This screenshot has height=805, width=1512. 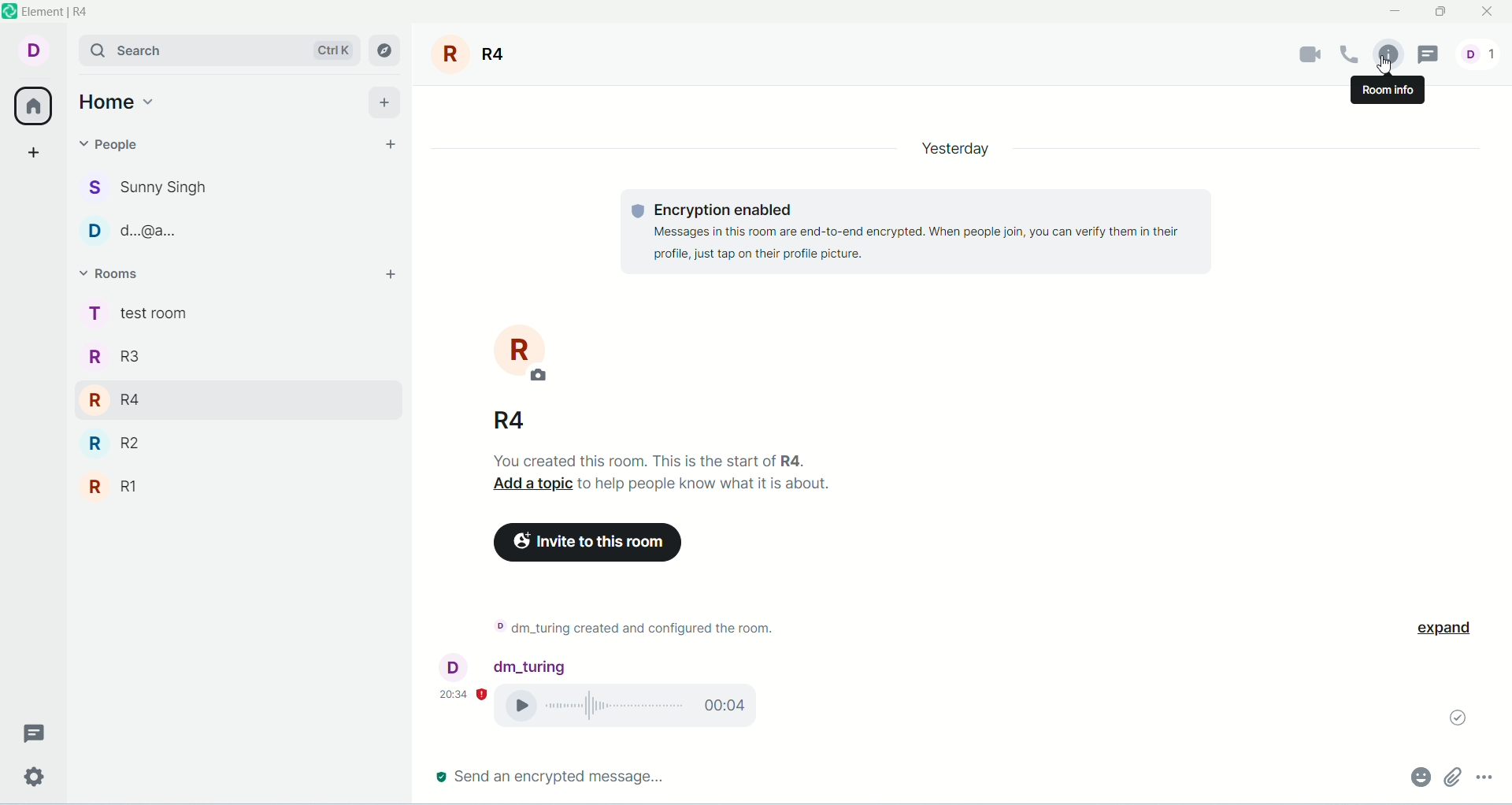 I want to click on search, so click(x=218, y=49).